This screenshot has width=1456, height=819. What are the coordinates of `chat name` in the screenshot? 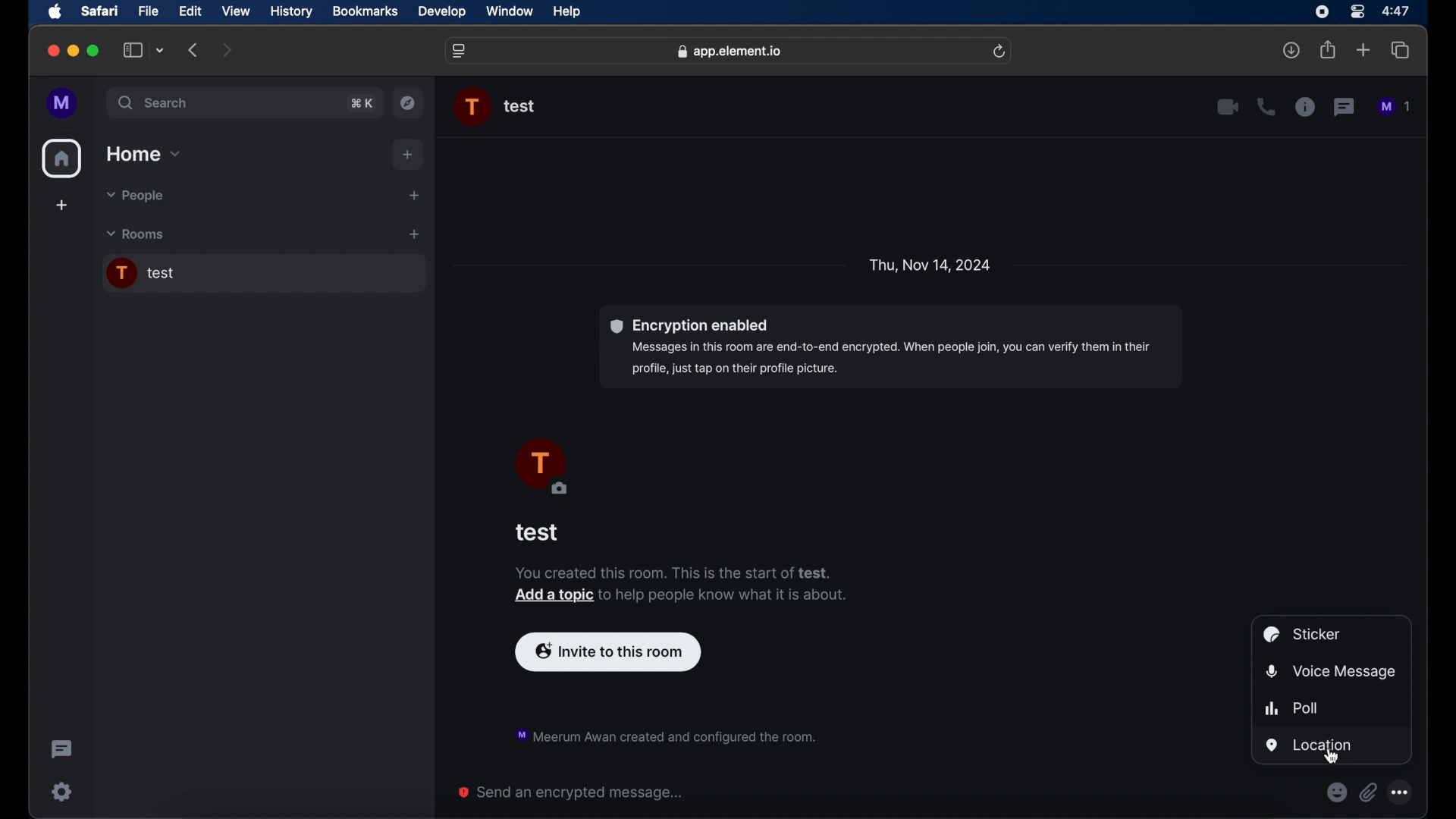 It's located at (520, 107).